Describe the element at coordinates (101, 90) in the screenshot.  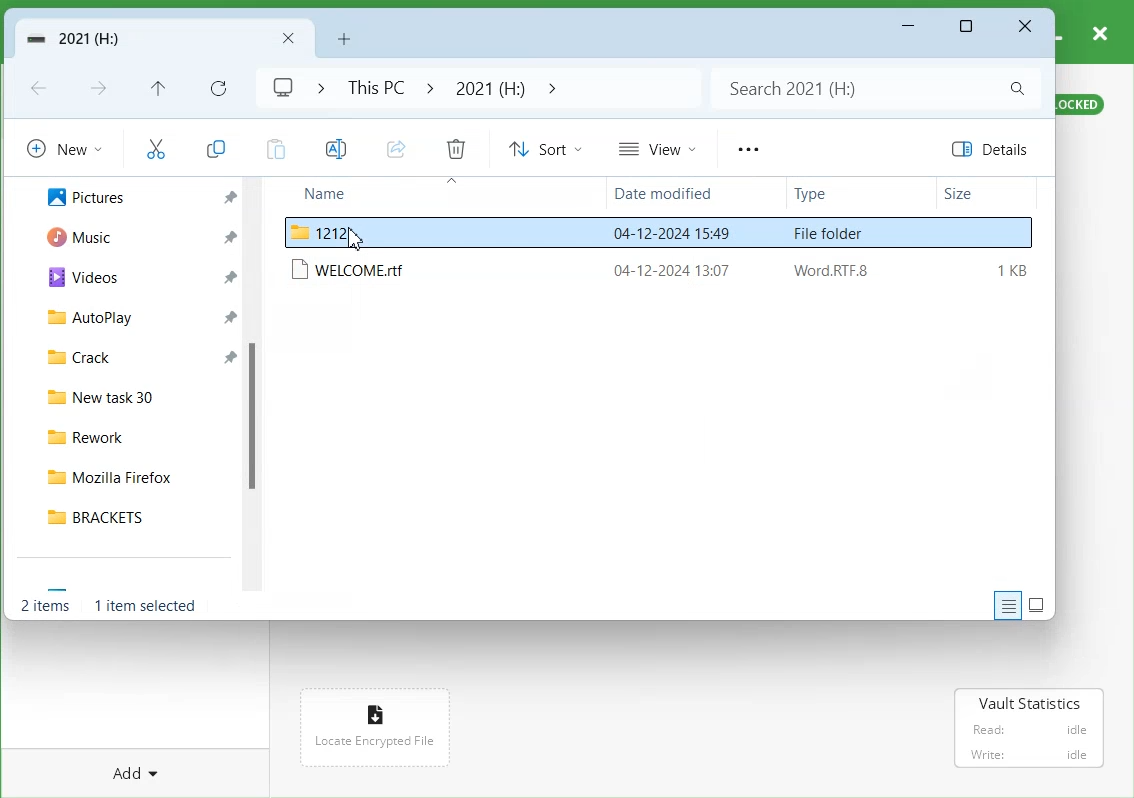
I see `Go Forward` at that location.